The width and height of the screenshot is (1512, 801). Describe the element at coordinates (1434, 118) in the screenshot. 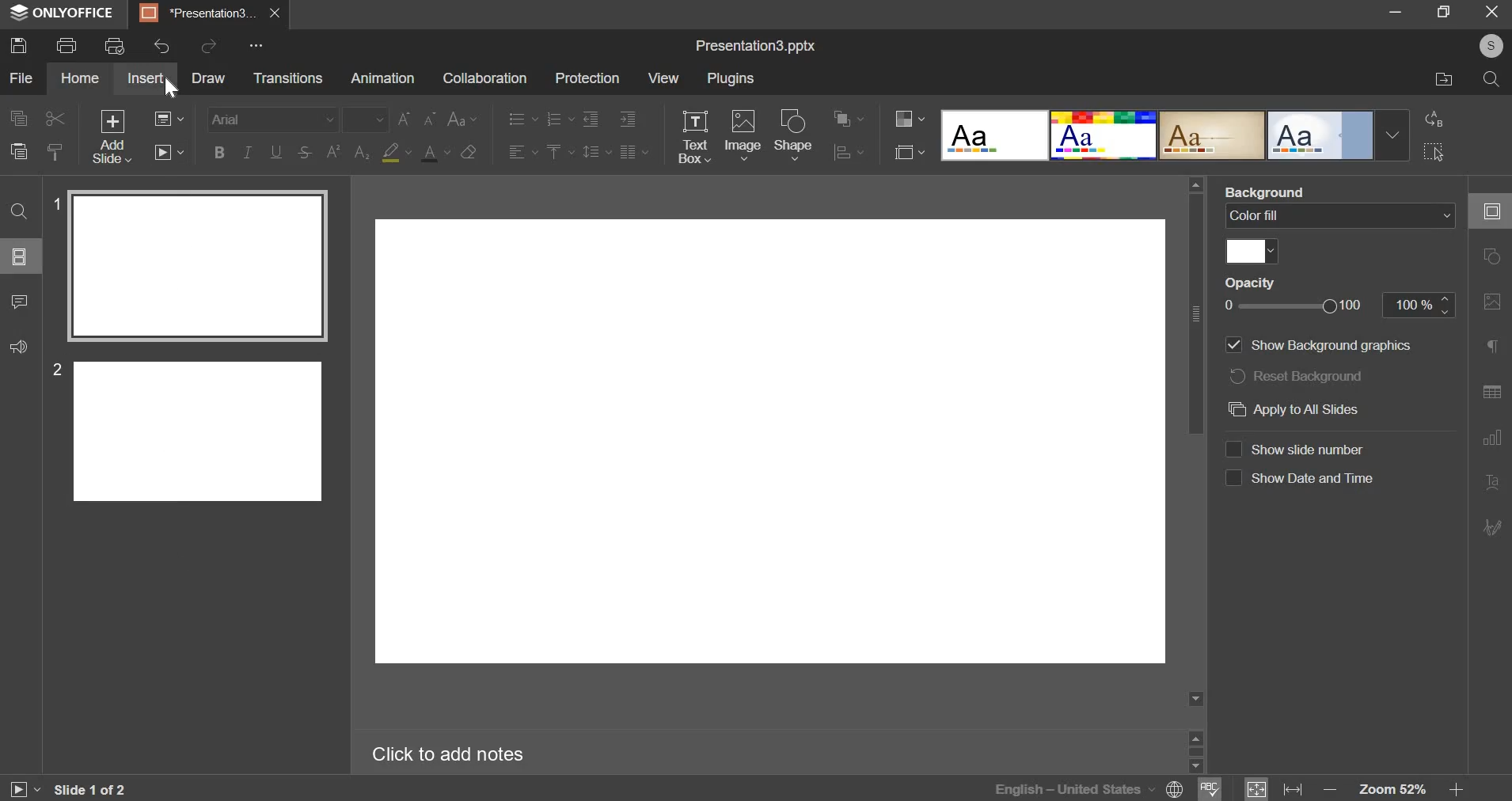

I see `replace` at that location.